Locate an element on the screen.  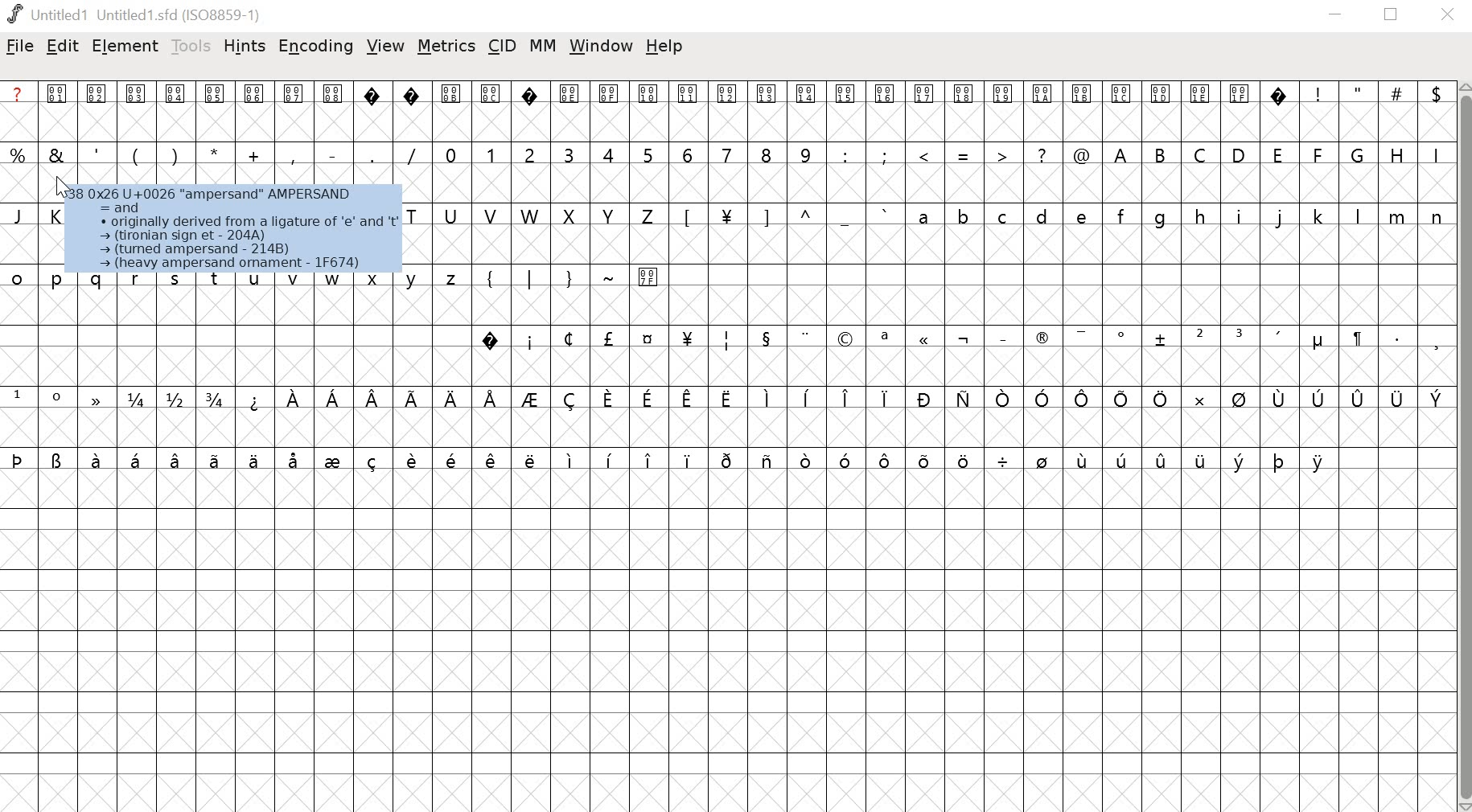
o is located at coordinates (18, 276).